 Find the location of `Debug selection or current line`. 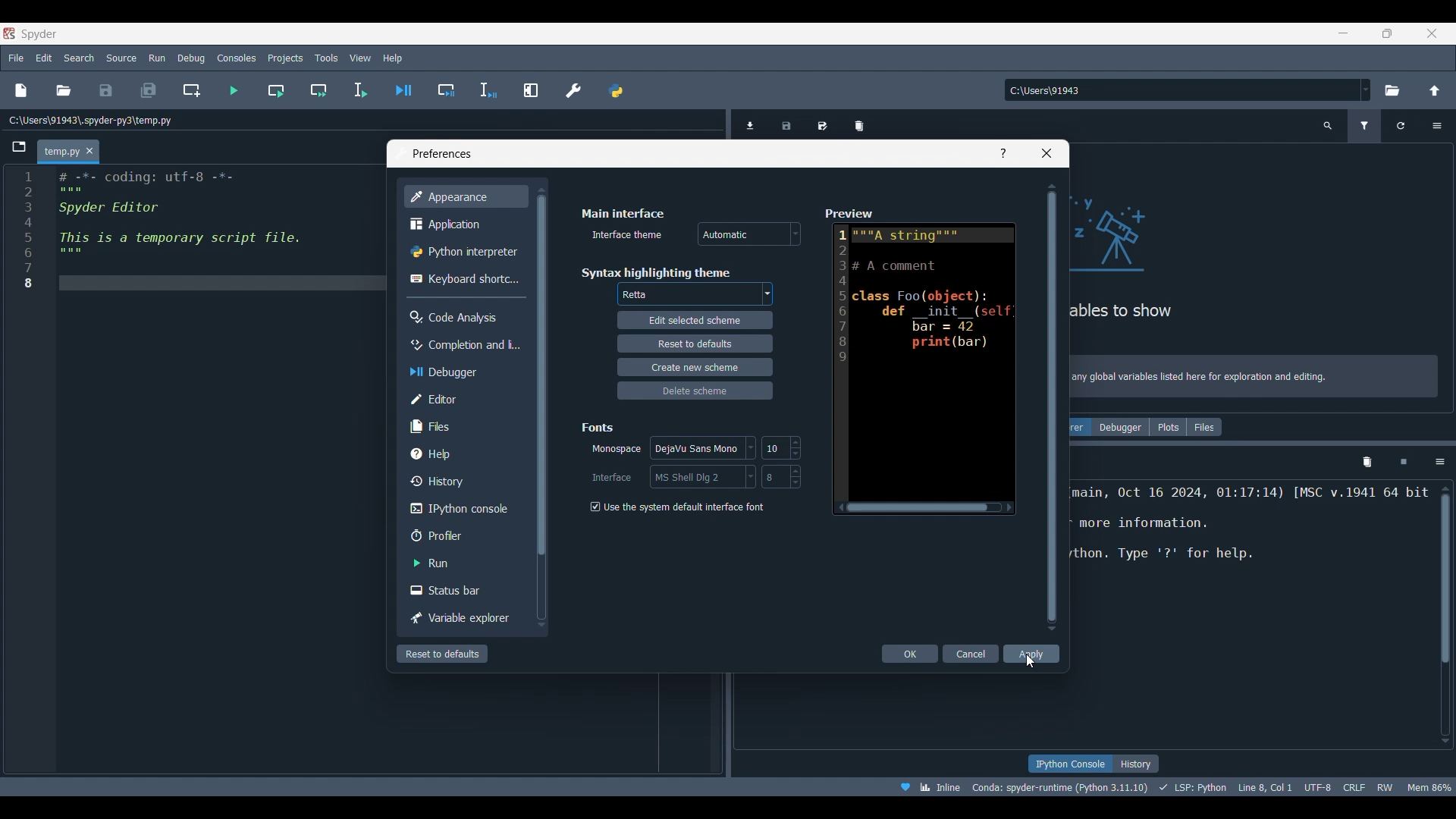

Debug selection or current line is located at coordinates (488, 91).